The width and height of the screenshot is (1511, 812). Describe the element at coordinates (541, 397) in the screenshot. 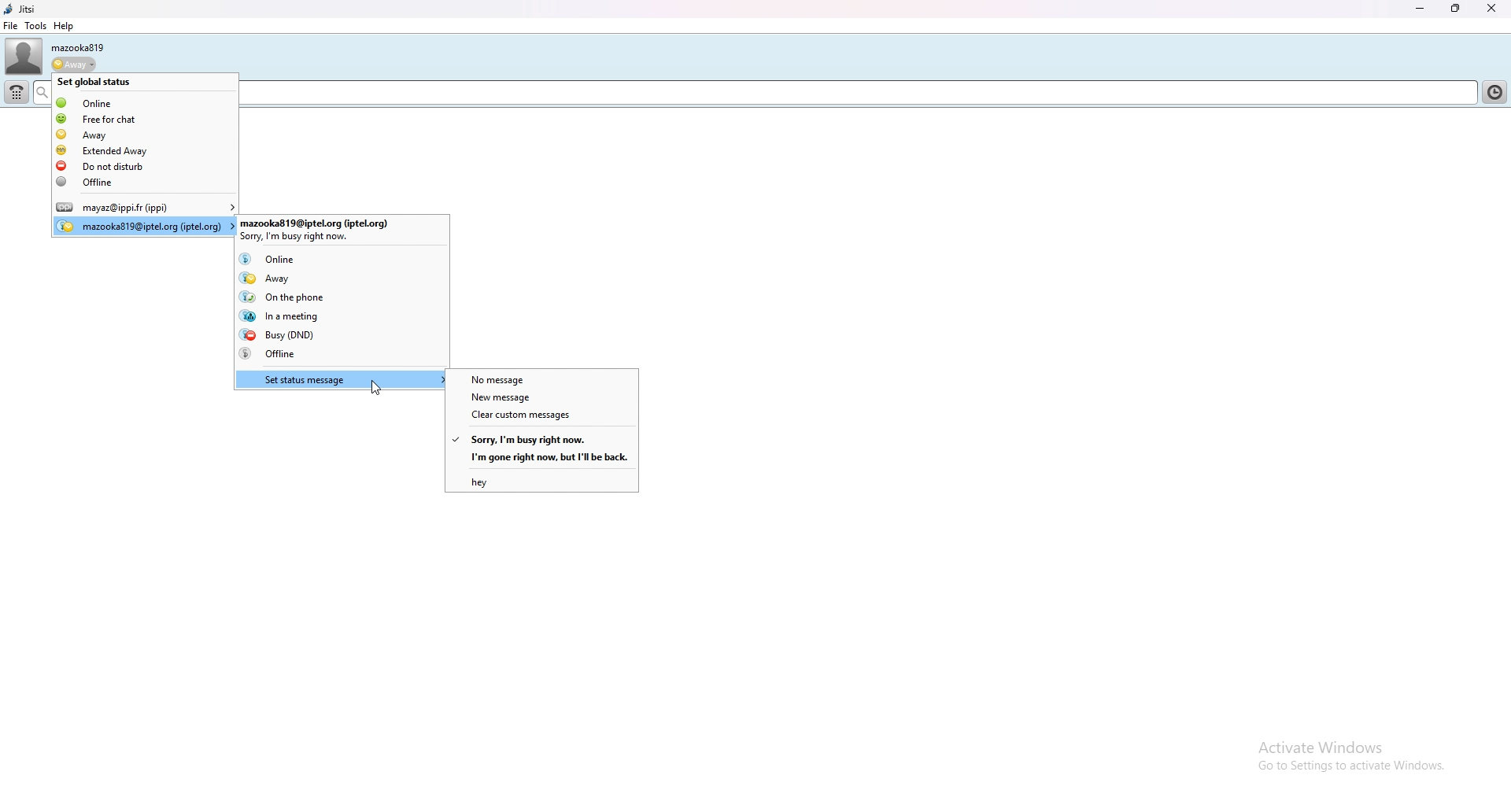

I see `new message` at that location.